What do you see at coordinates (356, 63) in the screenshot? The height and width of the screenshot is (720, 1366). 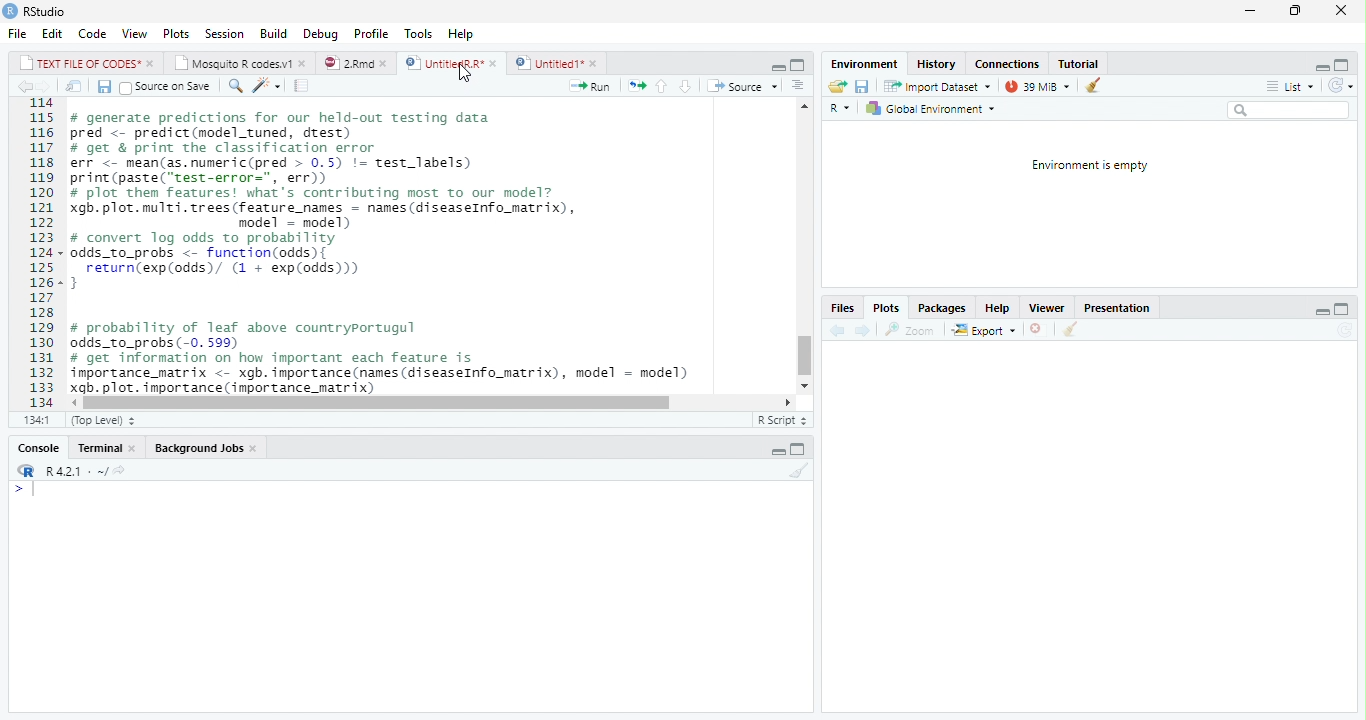 I see `2.Rmd` at bounding box center [356, 63].